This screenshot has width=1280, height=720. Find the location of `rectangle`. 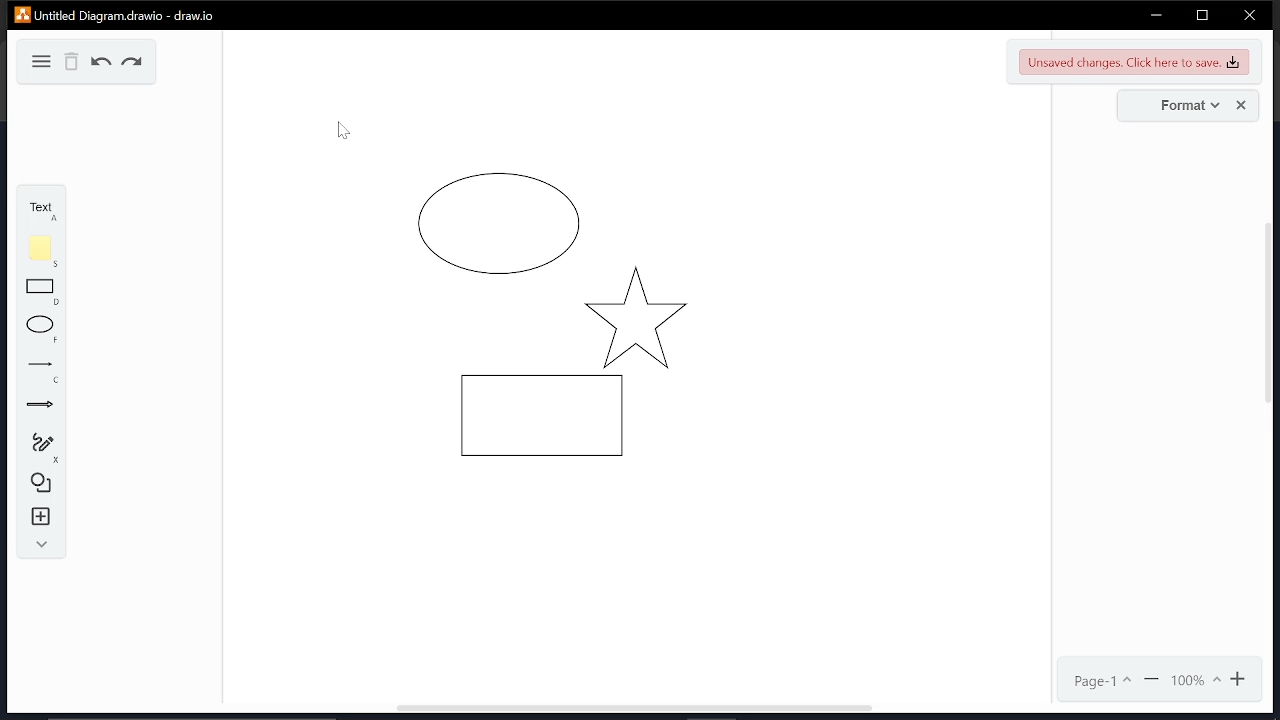

rectangle is located at coordinates (41, 292).